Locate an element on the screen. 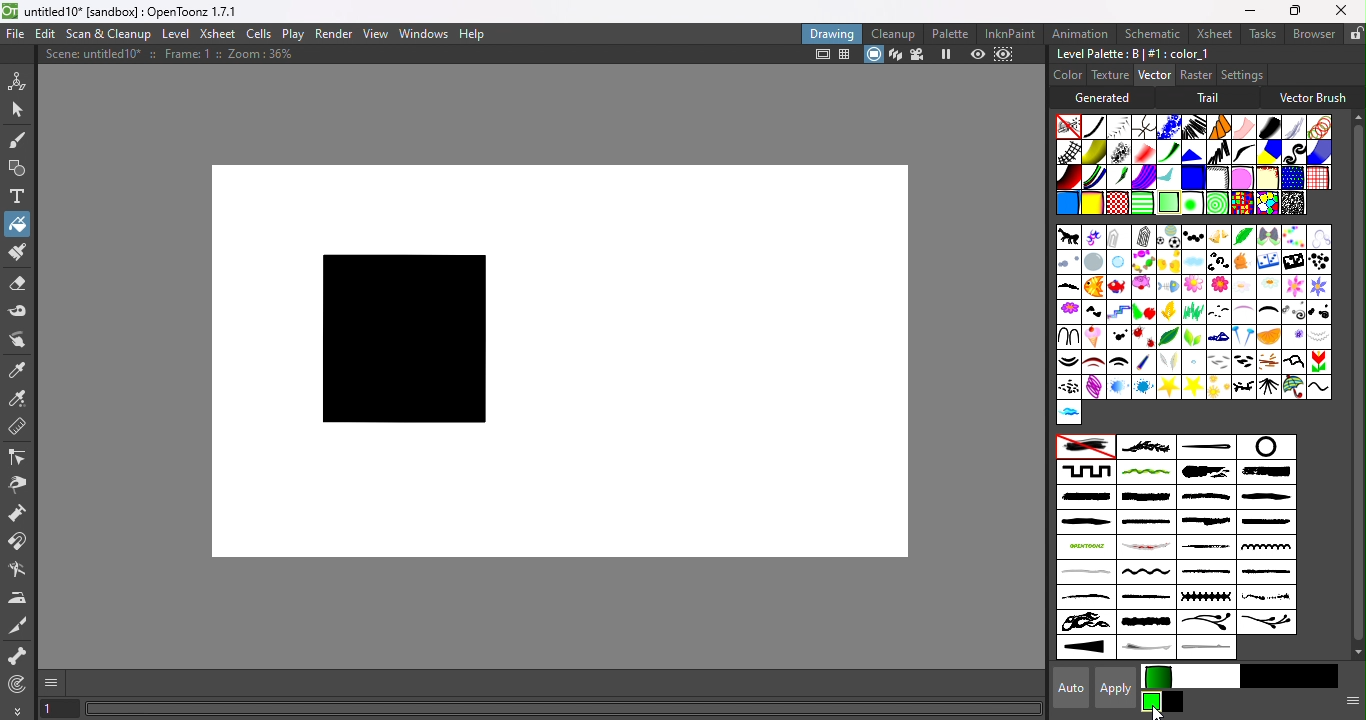 The width and height of the screenshot is (1366, 720). half is located at coordinates (1242, 312).